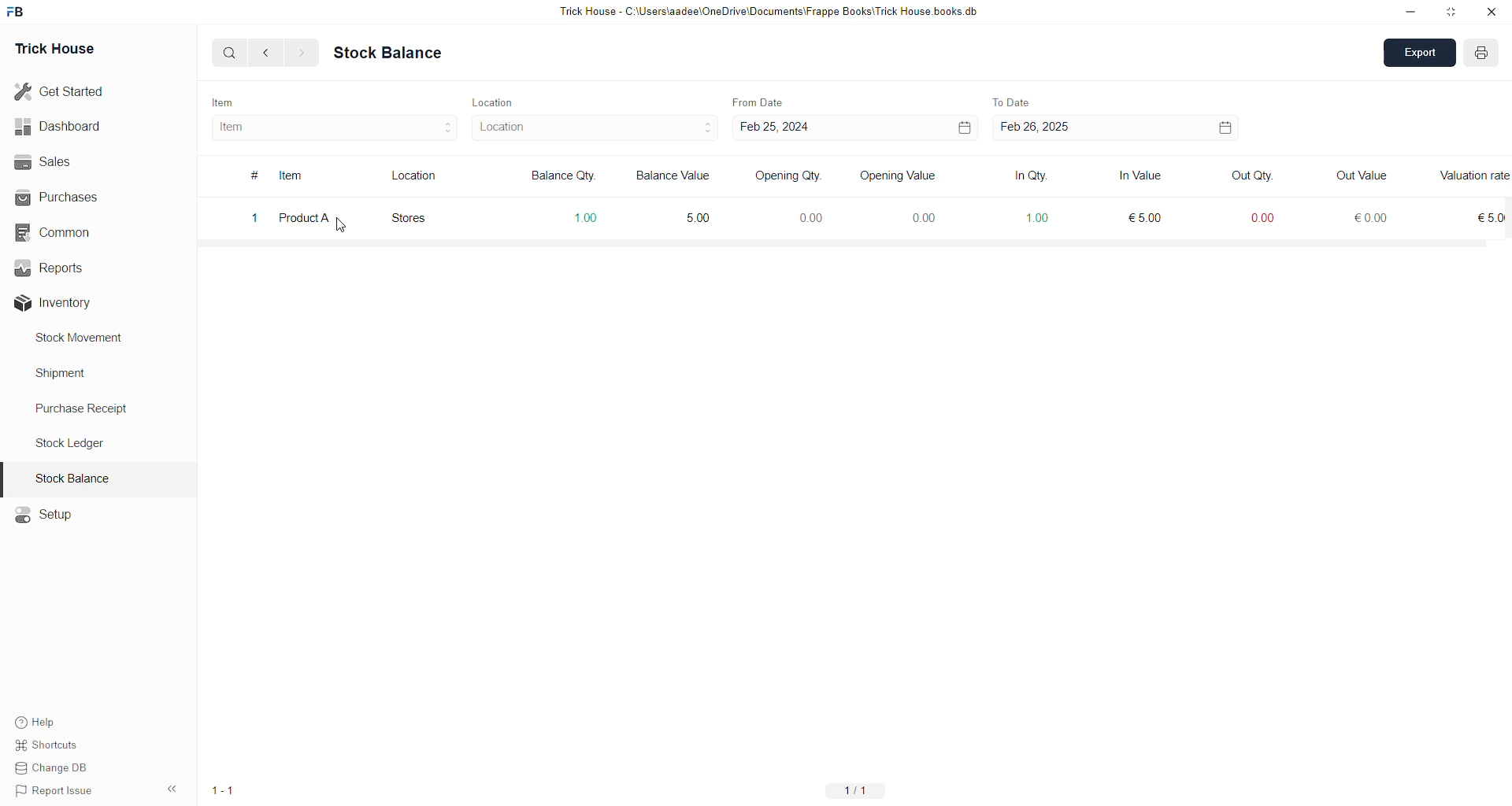 The image size is (1512, 806). I want to click on Opening Value, so click(895, 178).